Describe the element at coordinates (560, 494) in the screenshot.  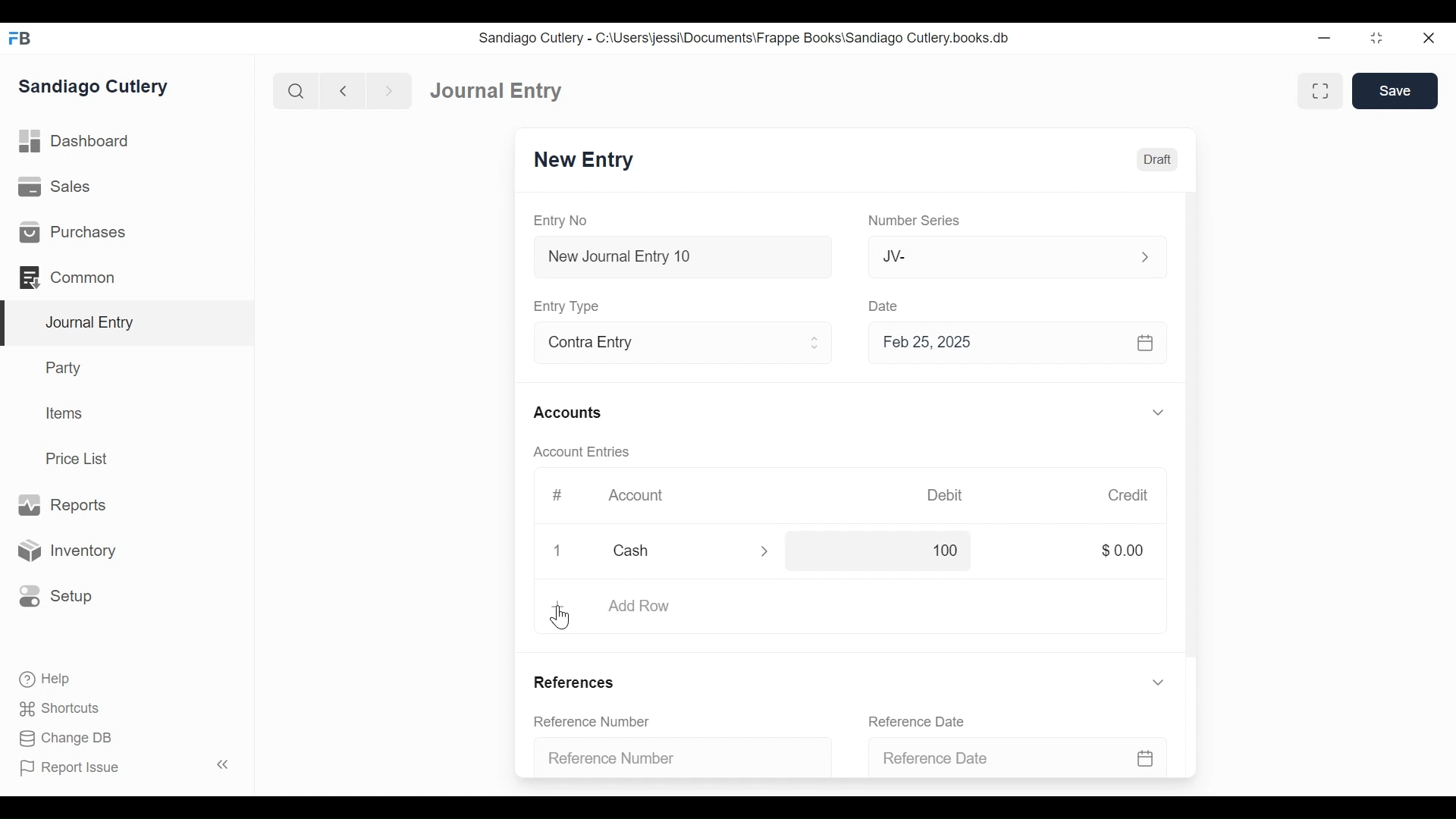
I see `#` at that location.